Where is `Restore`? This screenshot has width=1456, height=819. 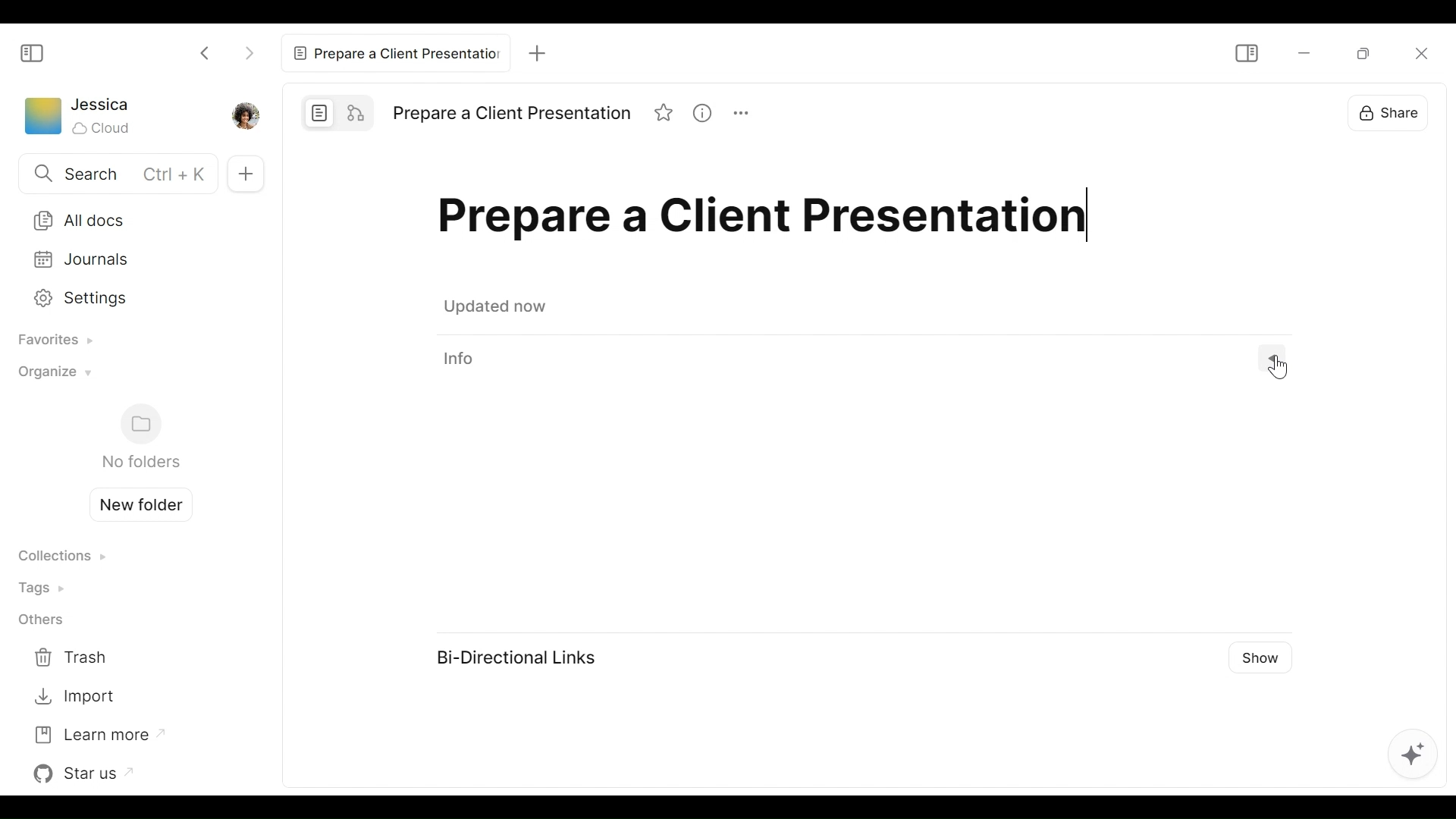
Restore is located at coordinates (1366, 52).